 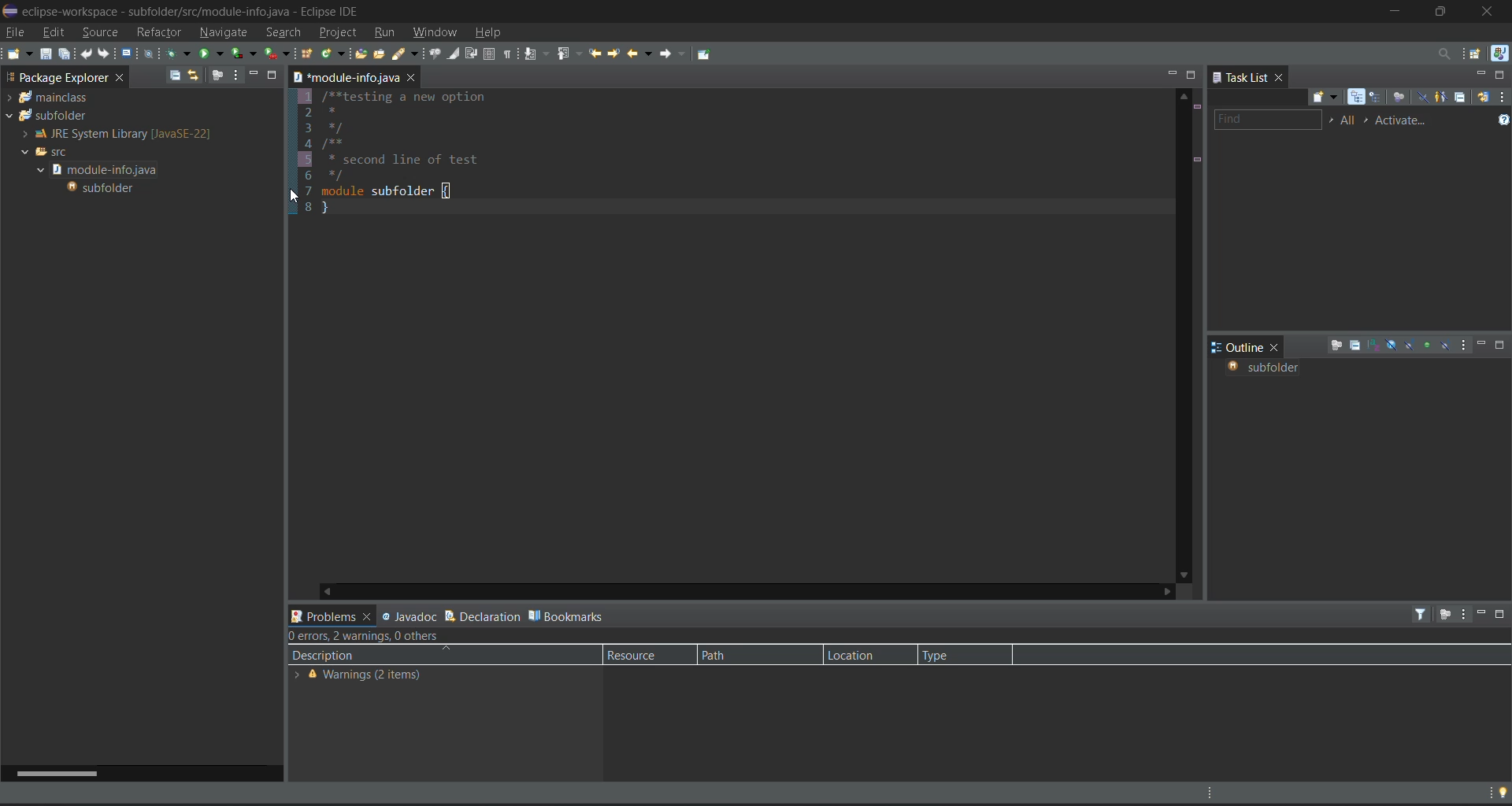 What do you see at coordinates (613, 52) in the screenshot?
I see `next edit location` at bounding box center [613, 52].